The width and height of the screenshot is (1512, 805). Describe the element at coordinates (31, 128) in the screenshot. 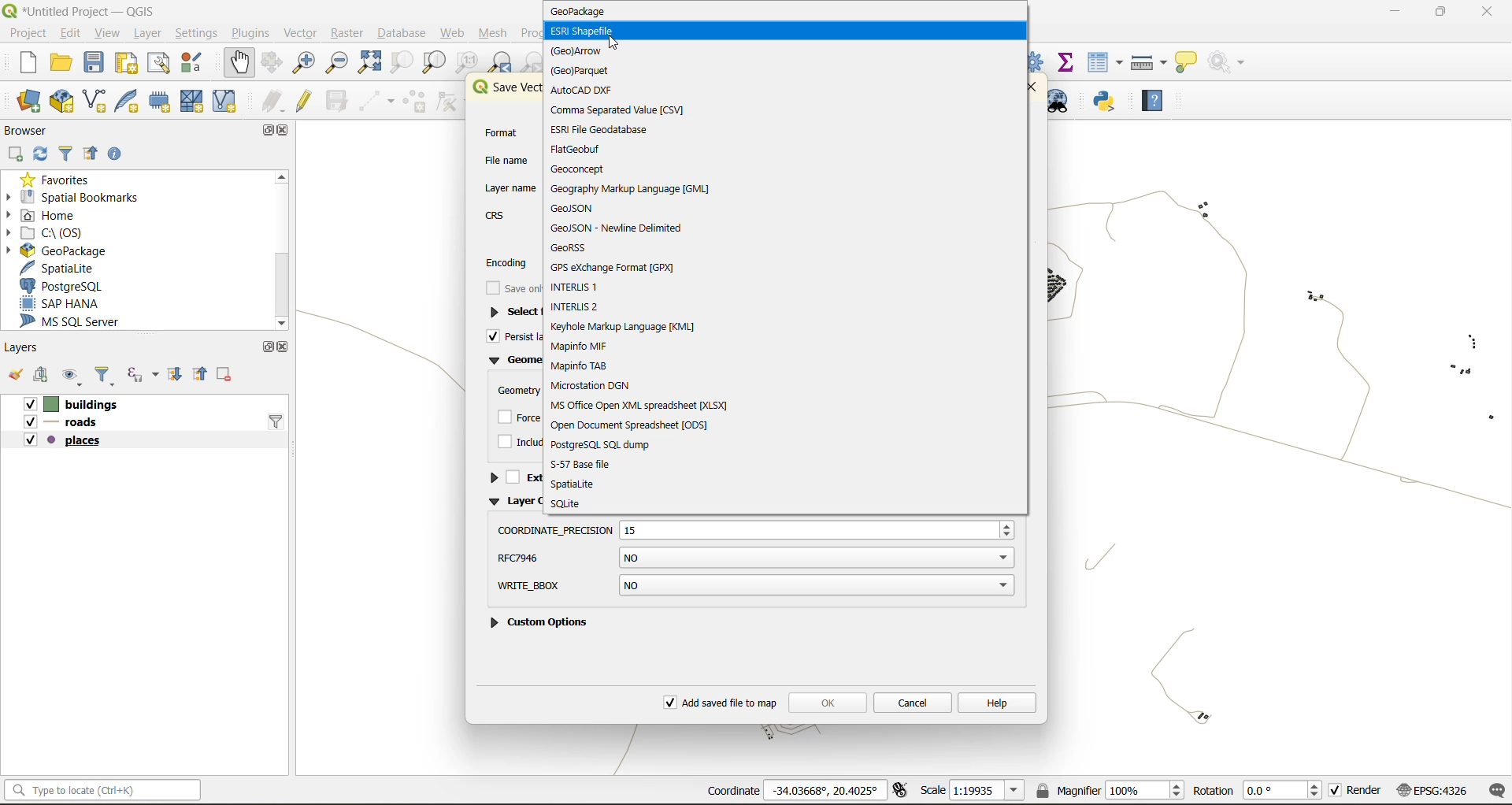

I see `browser` at that location.